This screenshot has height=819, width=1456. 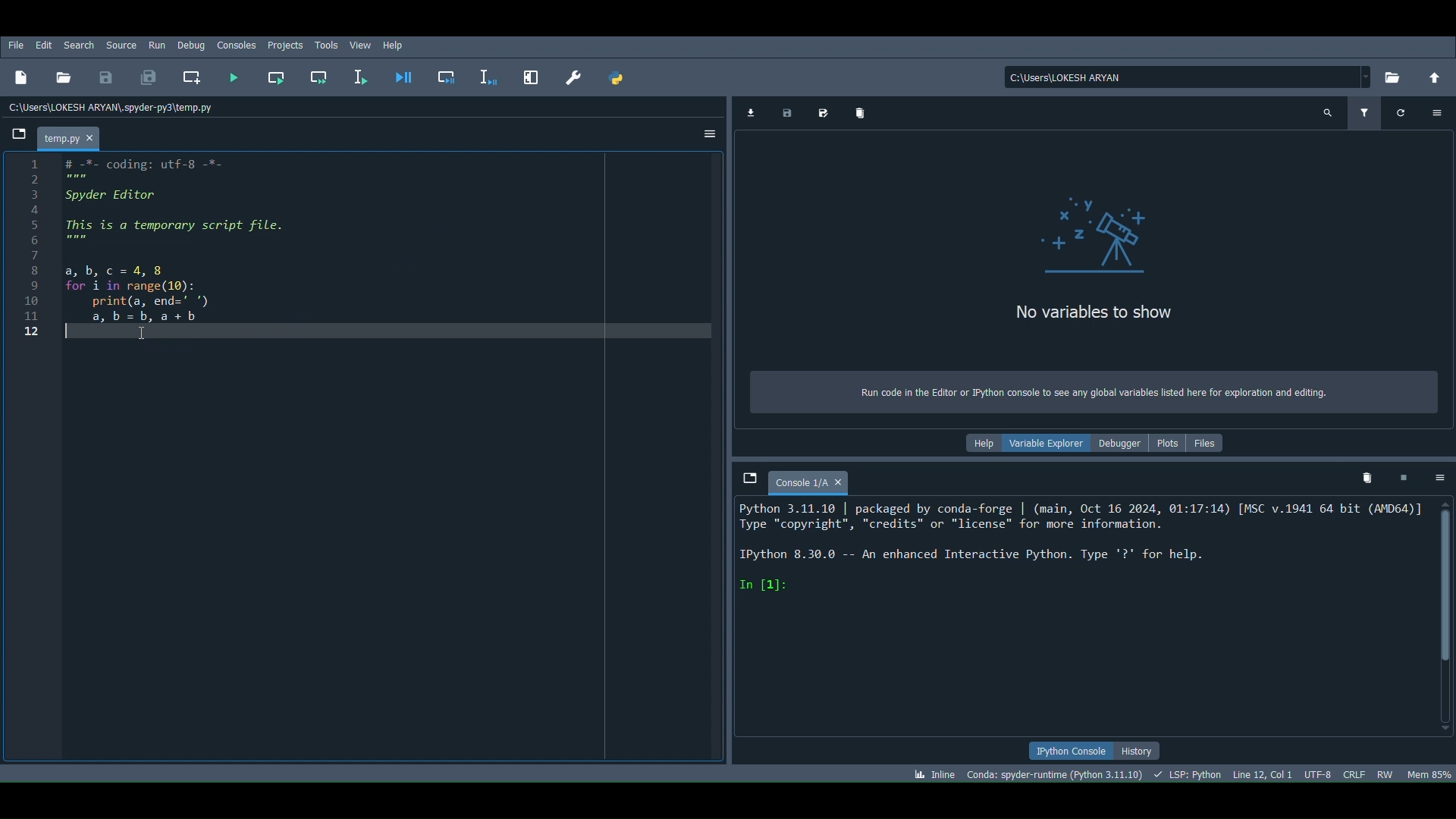 I want to click on Search variable names and types (Ctrl + F), so click(x=1329, y=111).